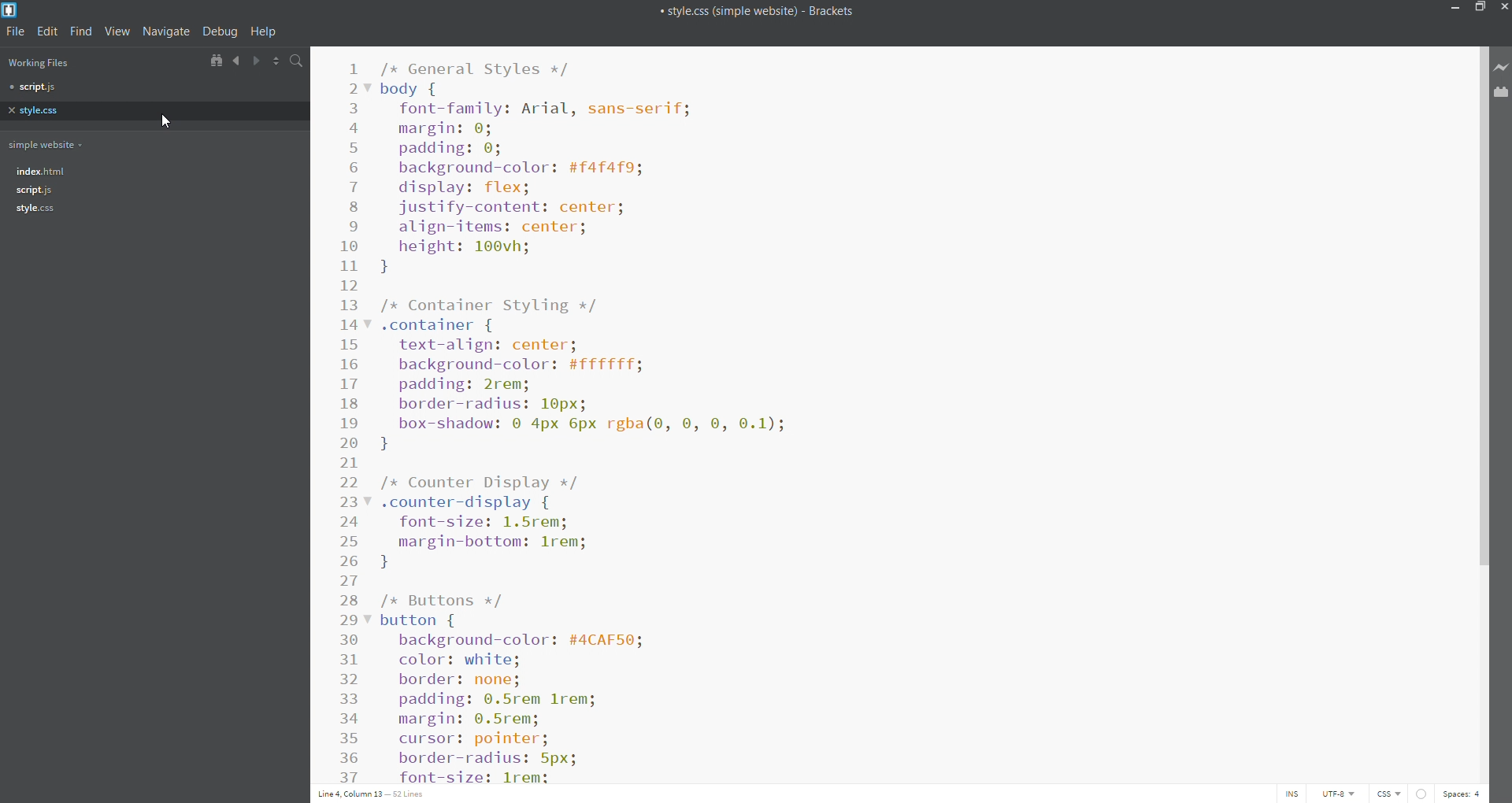  What do you see at coordinates (376, 793) in the screenshot?
I see `line 4 column 13- 52 lines` at bounding box center [376, 793].